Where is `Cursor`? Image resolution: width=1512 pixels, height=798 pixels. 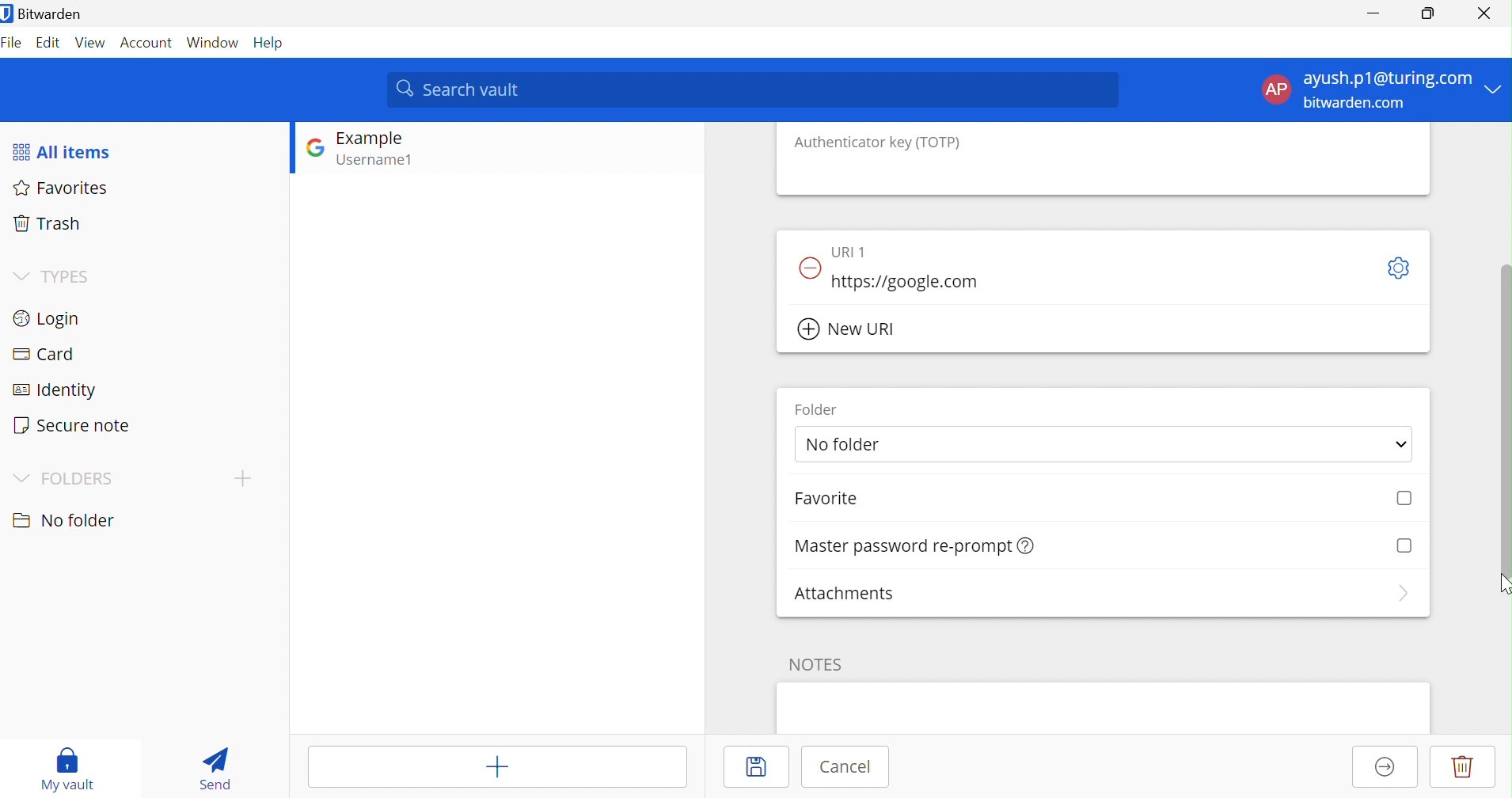 Cursor is located at coordinates (1503, 585).